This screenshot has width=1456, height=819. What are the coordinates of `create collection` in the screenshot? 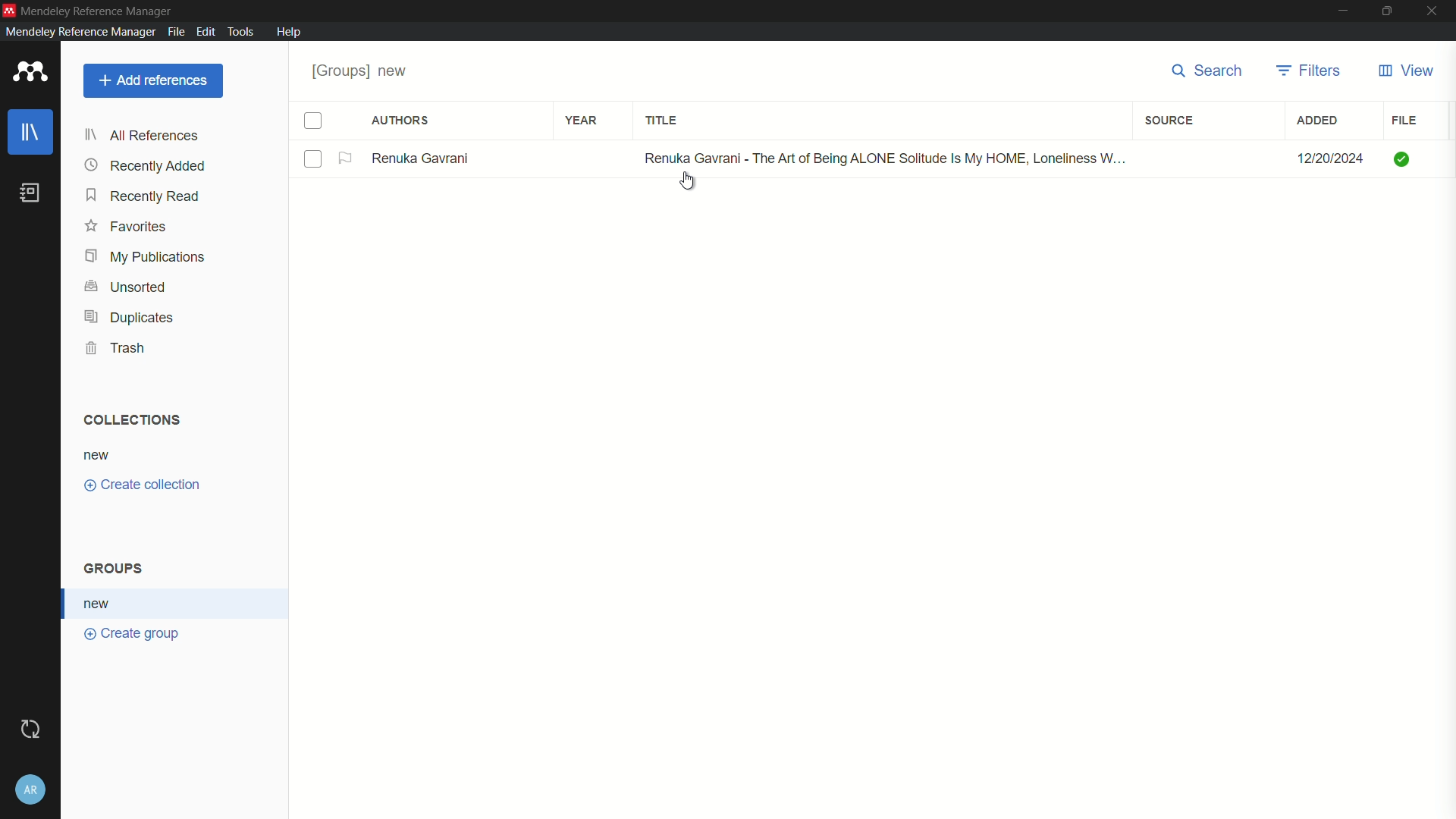 It's located at (145, 485).